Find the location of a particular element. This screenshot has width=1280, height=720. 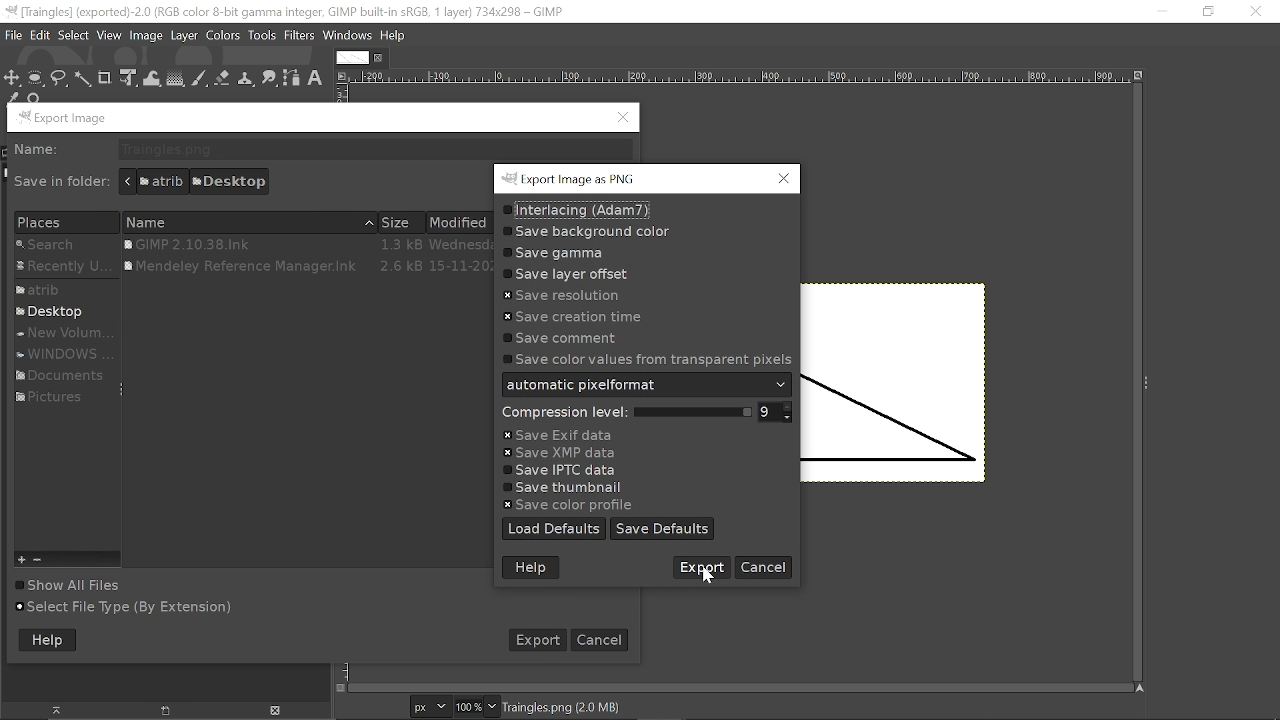

Windows is located at coordinates (348, 37).